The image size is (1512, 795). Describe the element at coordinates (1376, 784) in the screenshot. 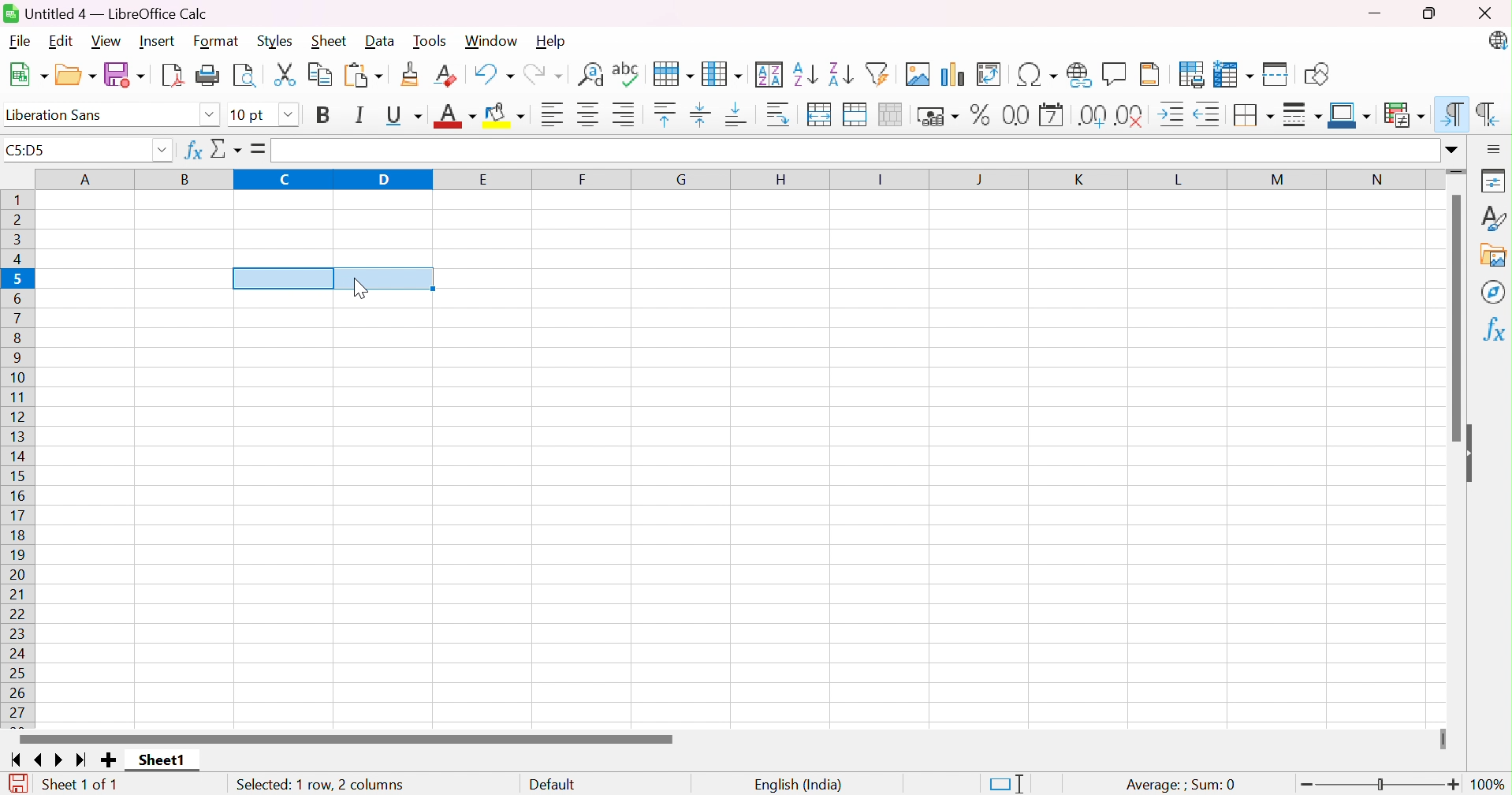

I see `Slider` at that location.